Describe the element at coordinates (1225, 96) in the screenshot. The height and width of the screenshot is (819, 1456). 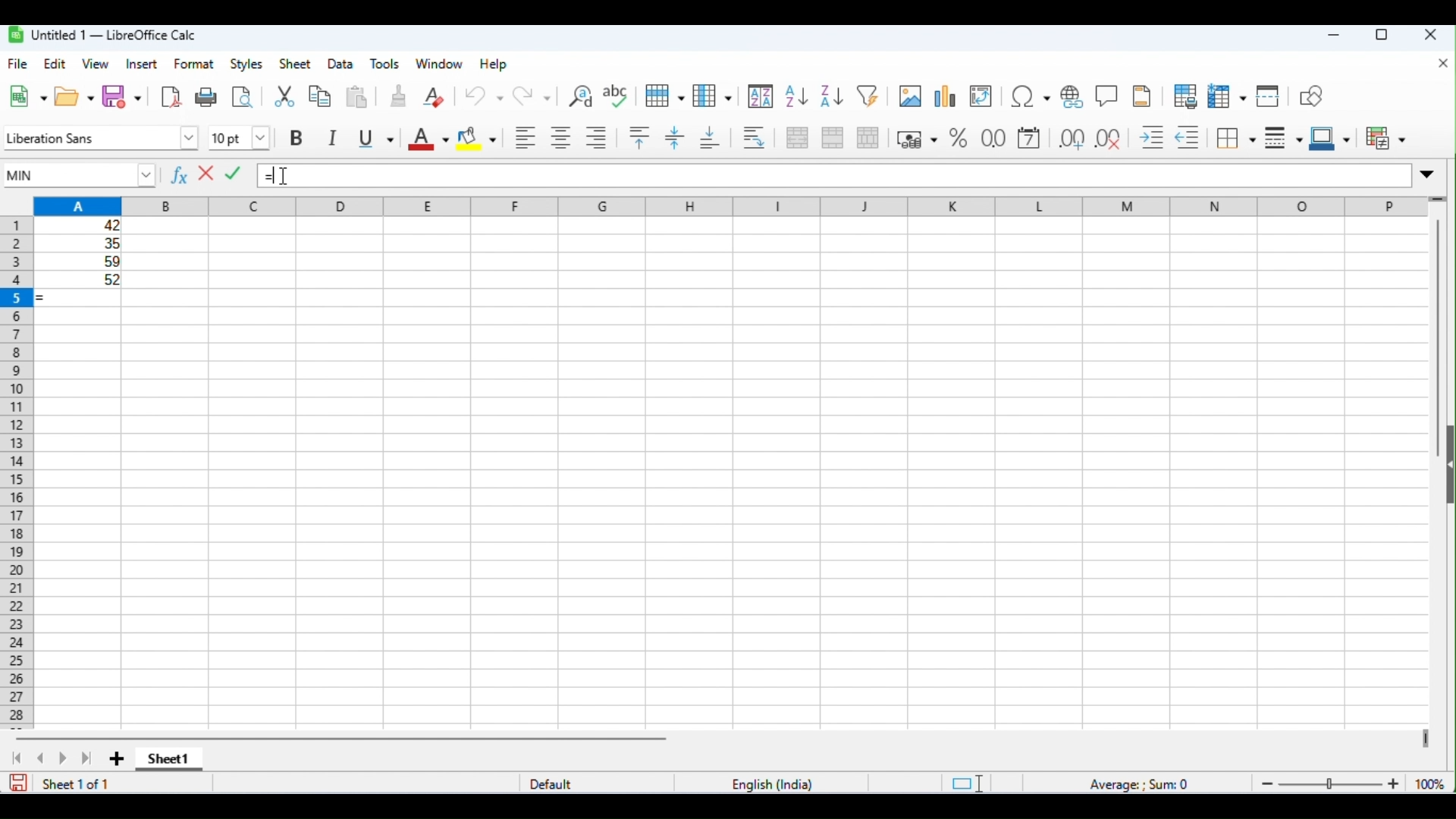
I see `freeze rows and columns` at that location.